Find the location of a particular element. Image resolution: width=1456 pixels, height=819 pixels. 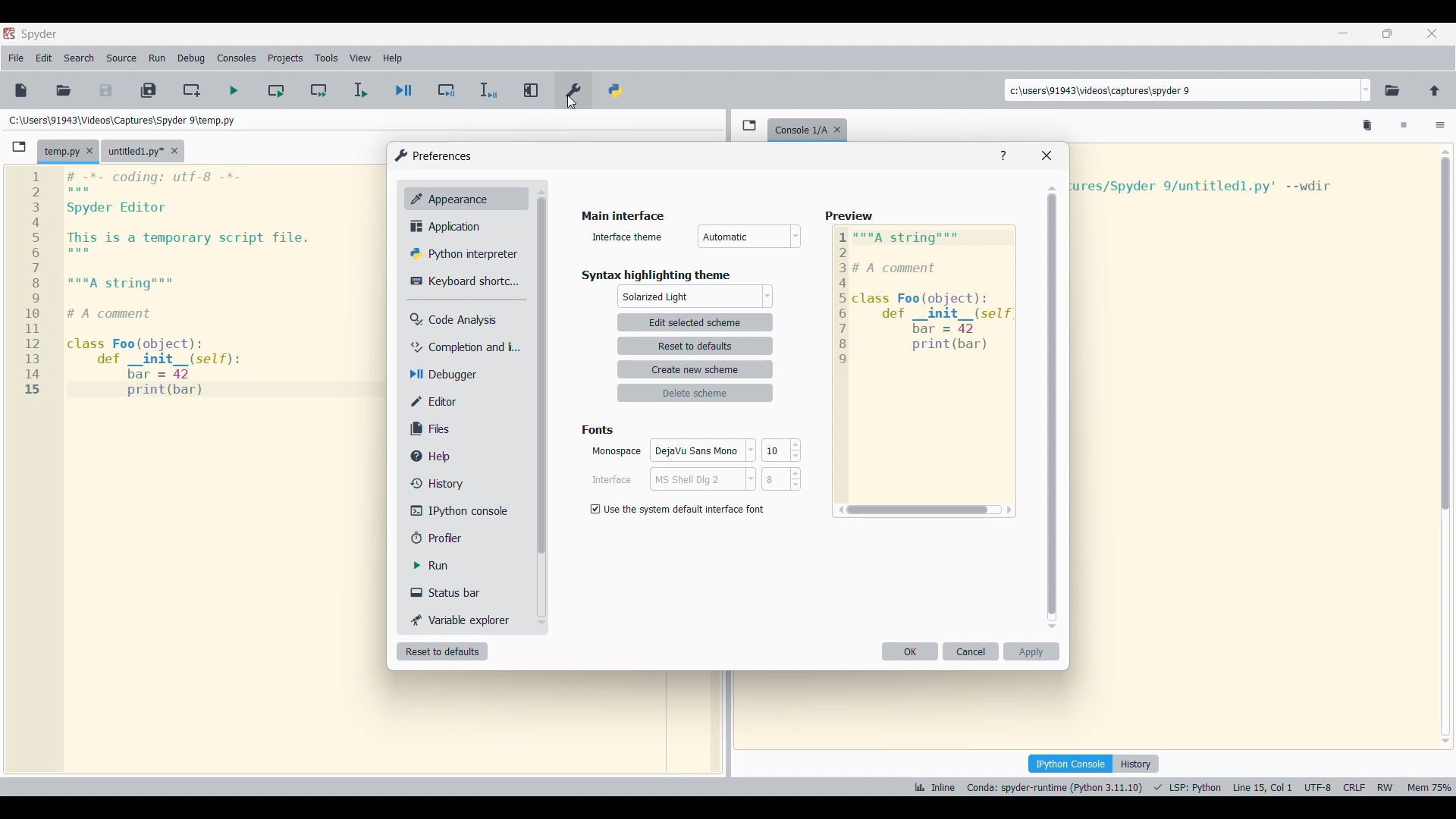

Input location is located at coordinates (1181, 90).